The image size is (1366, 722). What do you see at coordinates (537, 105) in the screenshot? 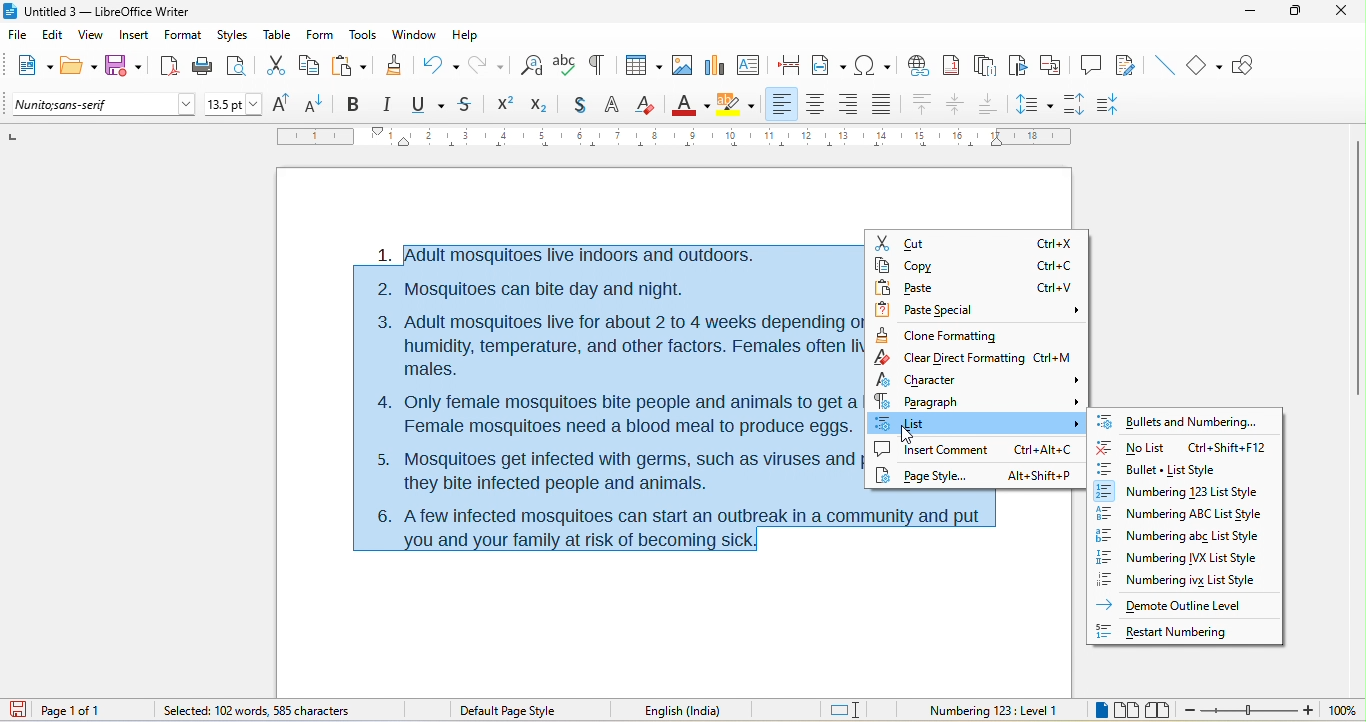
I see `subscript` at bounding box center [537, 105].